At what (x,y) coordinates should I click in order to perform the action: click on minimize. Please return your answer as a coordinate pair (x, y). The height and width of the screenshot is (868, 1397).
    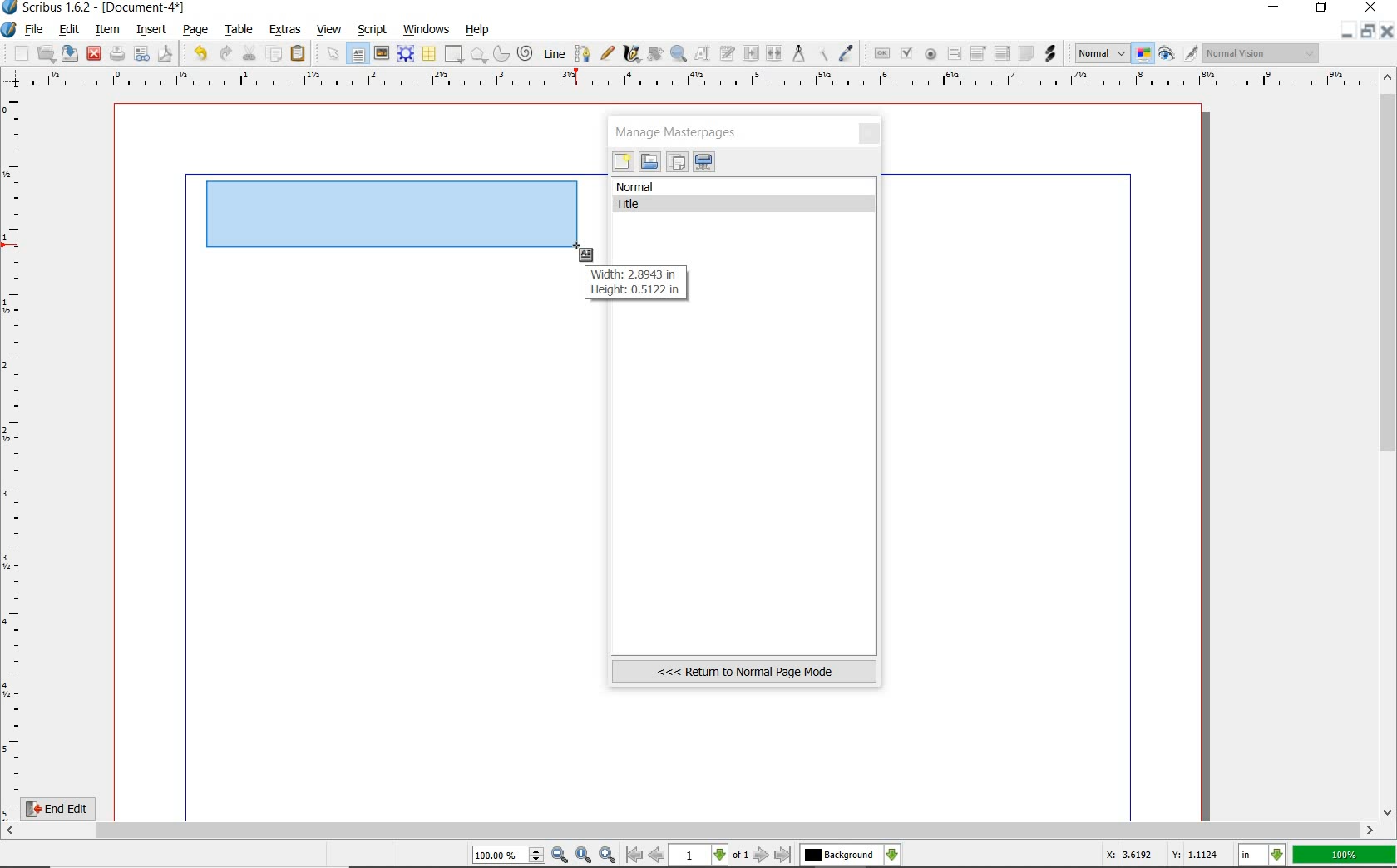
    Looking at the image, I should click on (1349, 31).